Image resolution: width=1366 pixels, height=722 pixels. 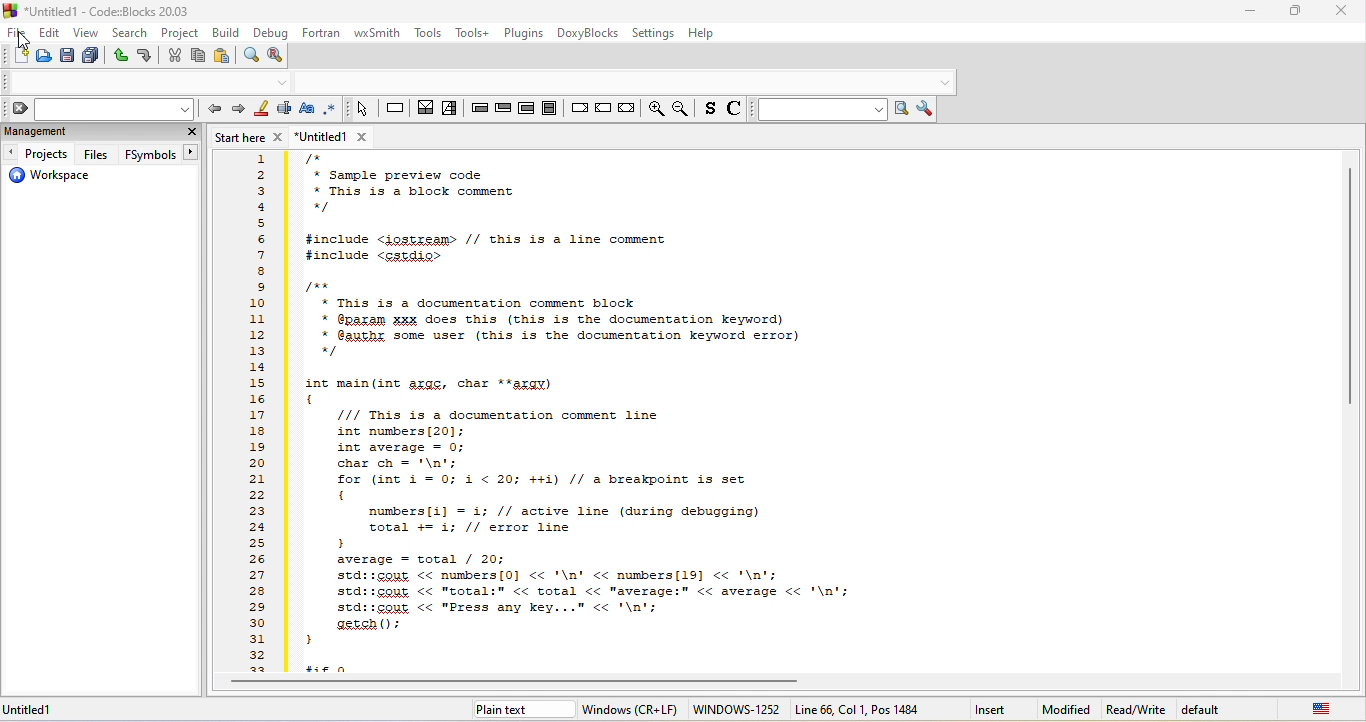 What do you see at coordinates (527, 683) in the screenshot?
I see `horizontal scroll bar` at bounding box center [527, 683].